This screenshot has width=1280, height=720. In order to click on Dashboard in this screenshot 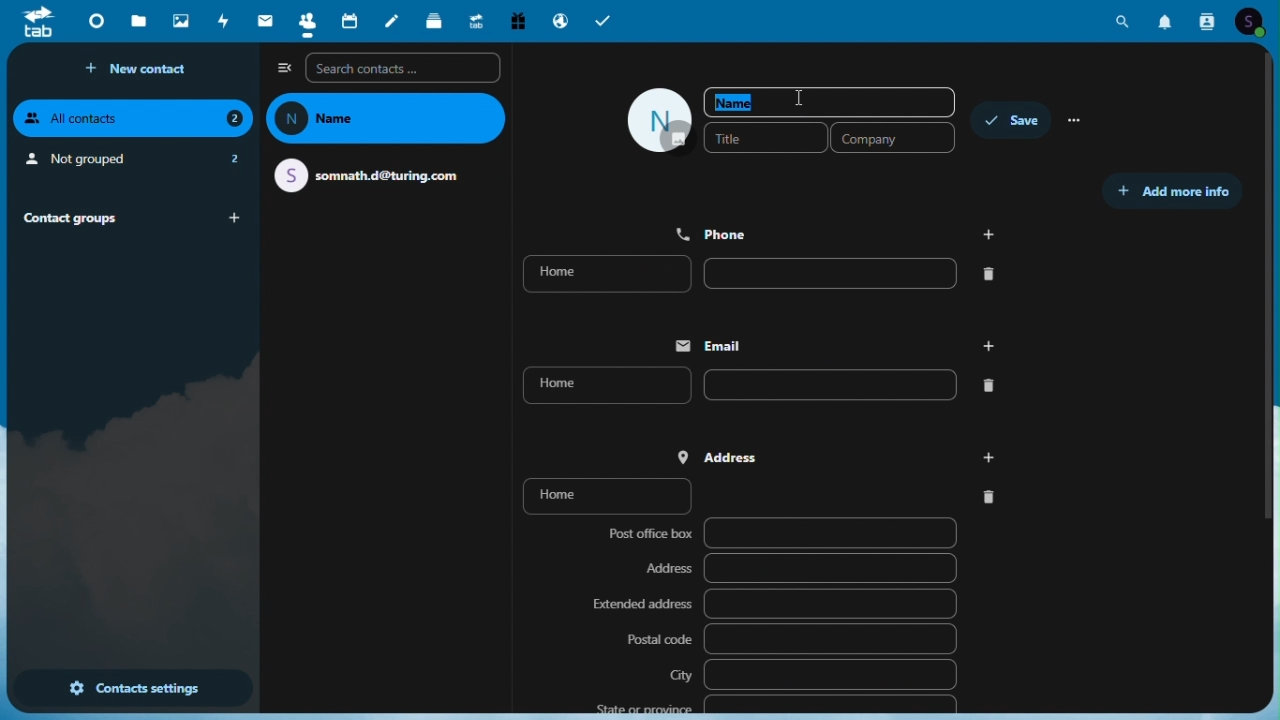, I will do `click(94, 22)`.